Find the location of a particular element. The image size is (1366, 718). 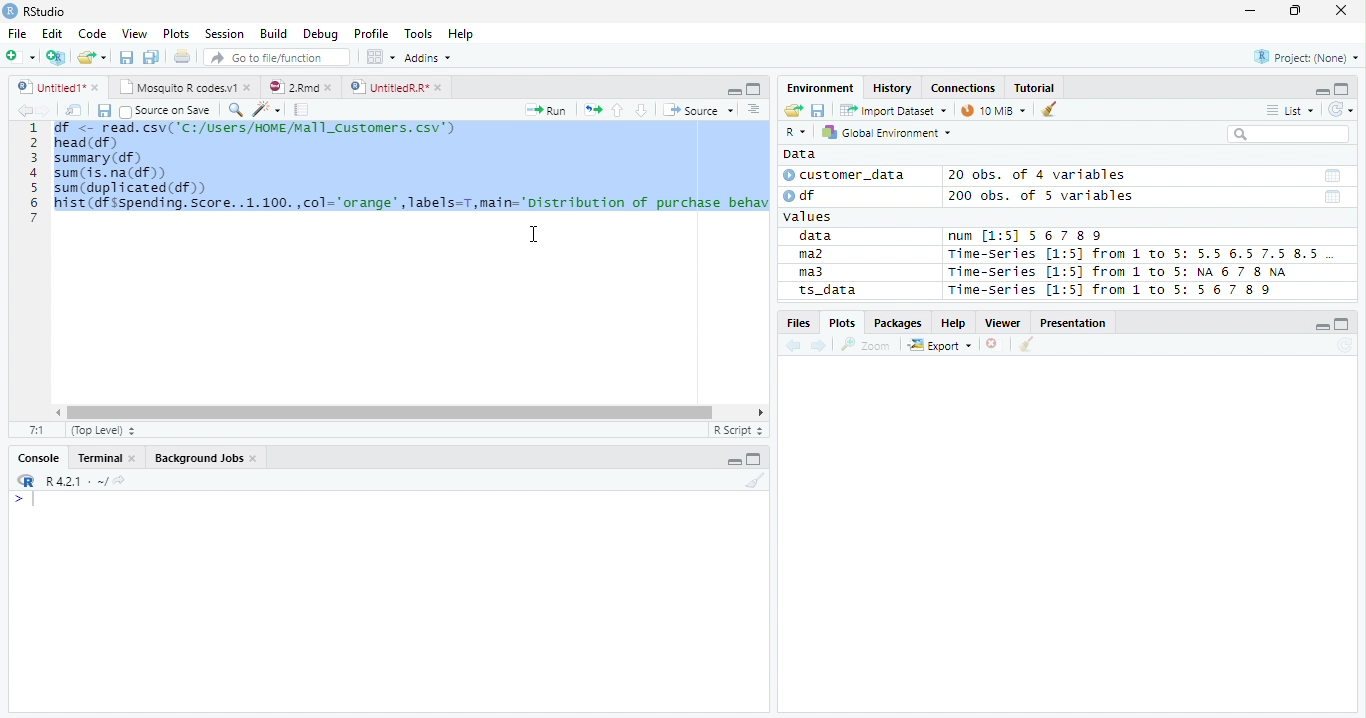

ts_data is located at coordinates (855, 293).